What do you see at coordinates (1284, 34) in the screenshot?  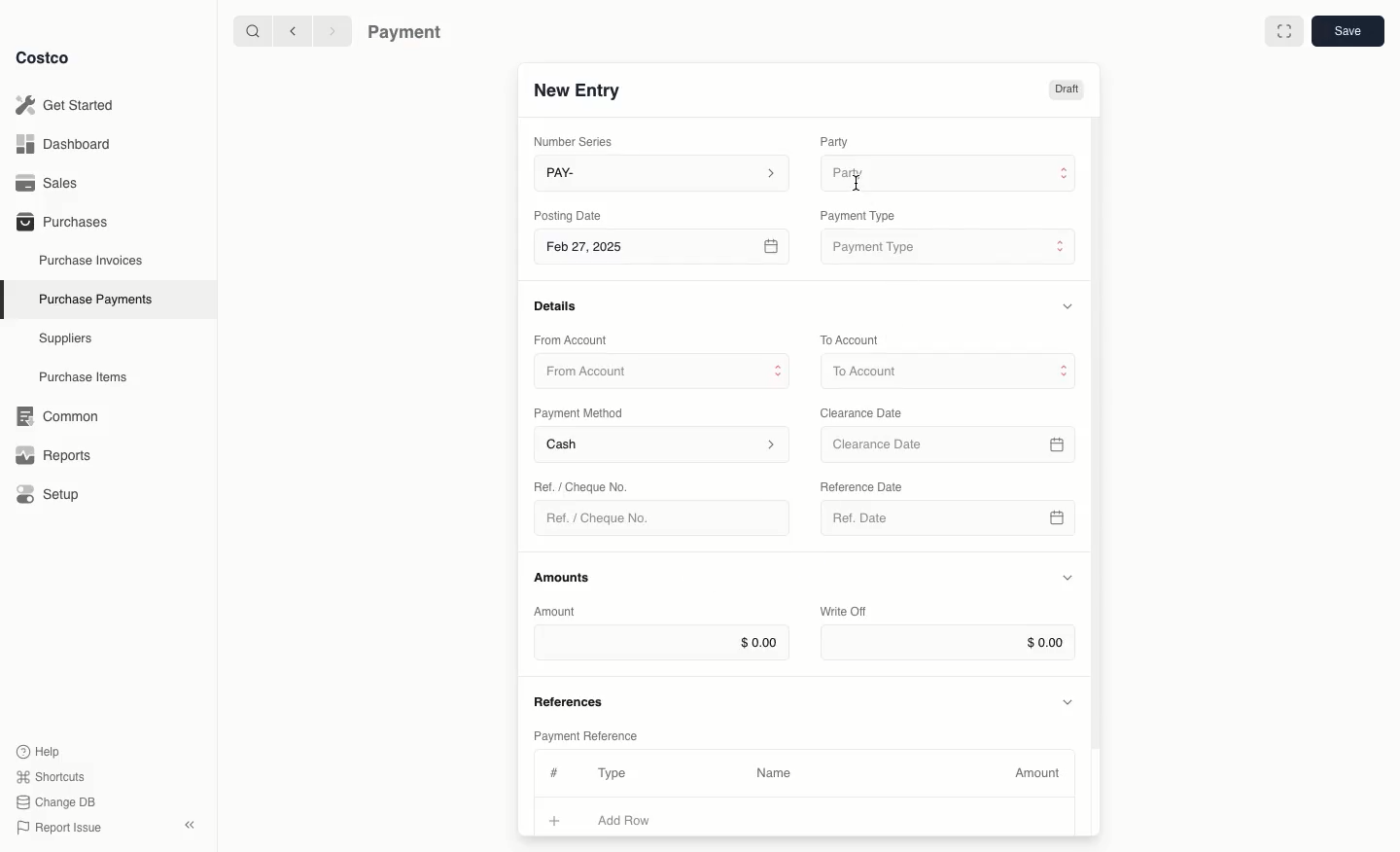 I see `Full width toggle` at bounding box center [1284, 34].